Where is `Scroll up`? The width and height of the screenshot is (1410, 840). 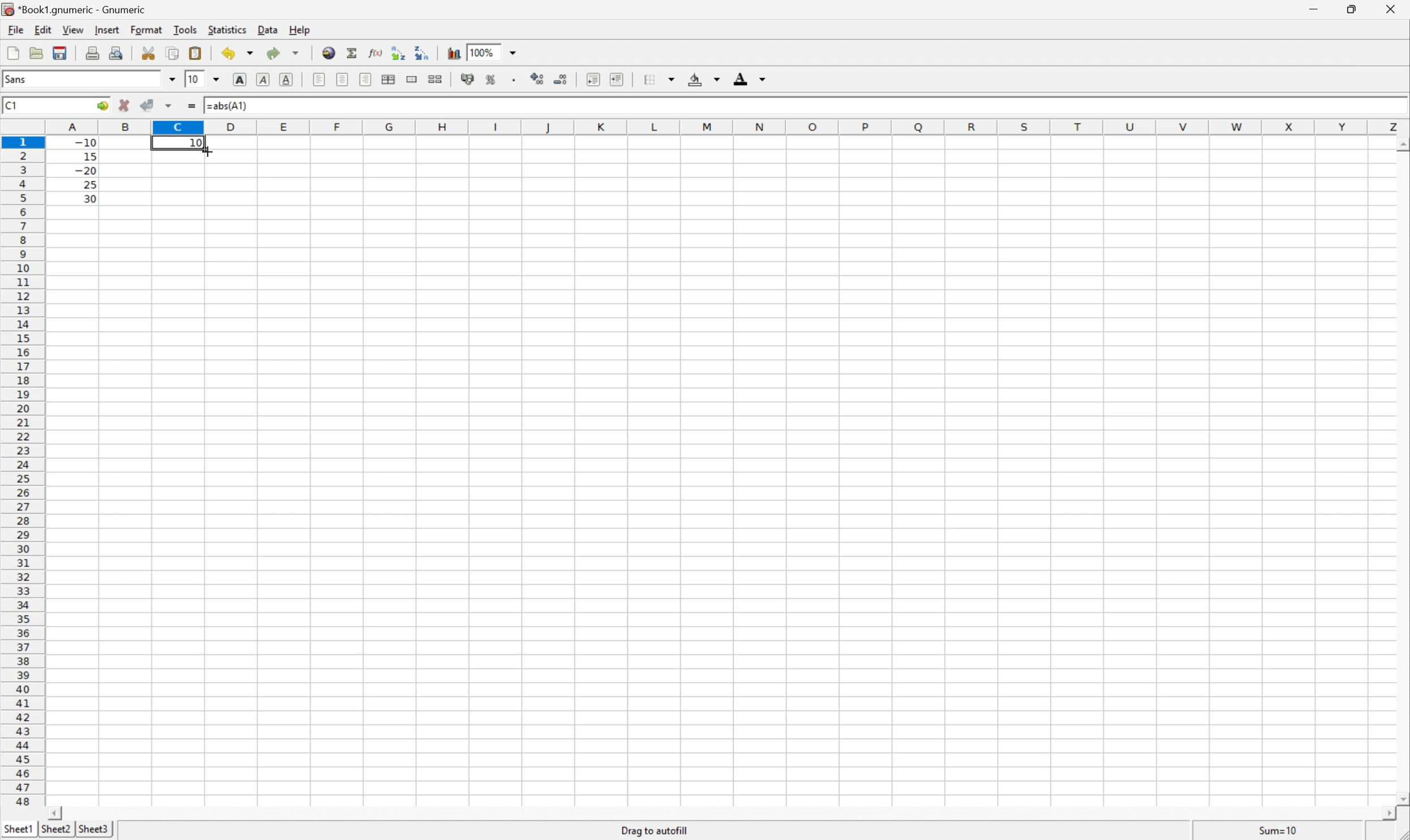
Scroll up is located at coordinates (1401, 144).